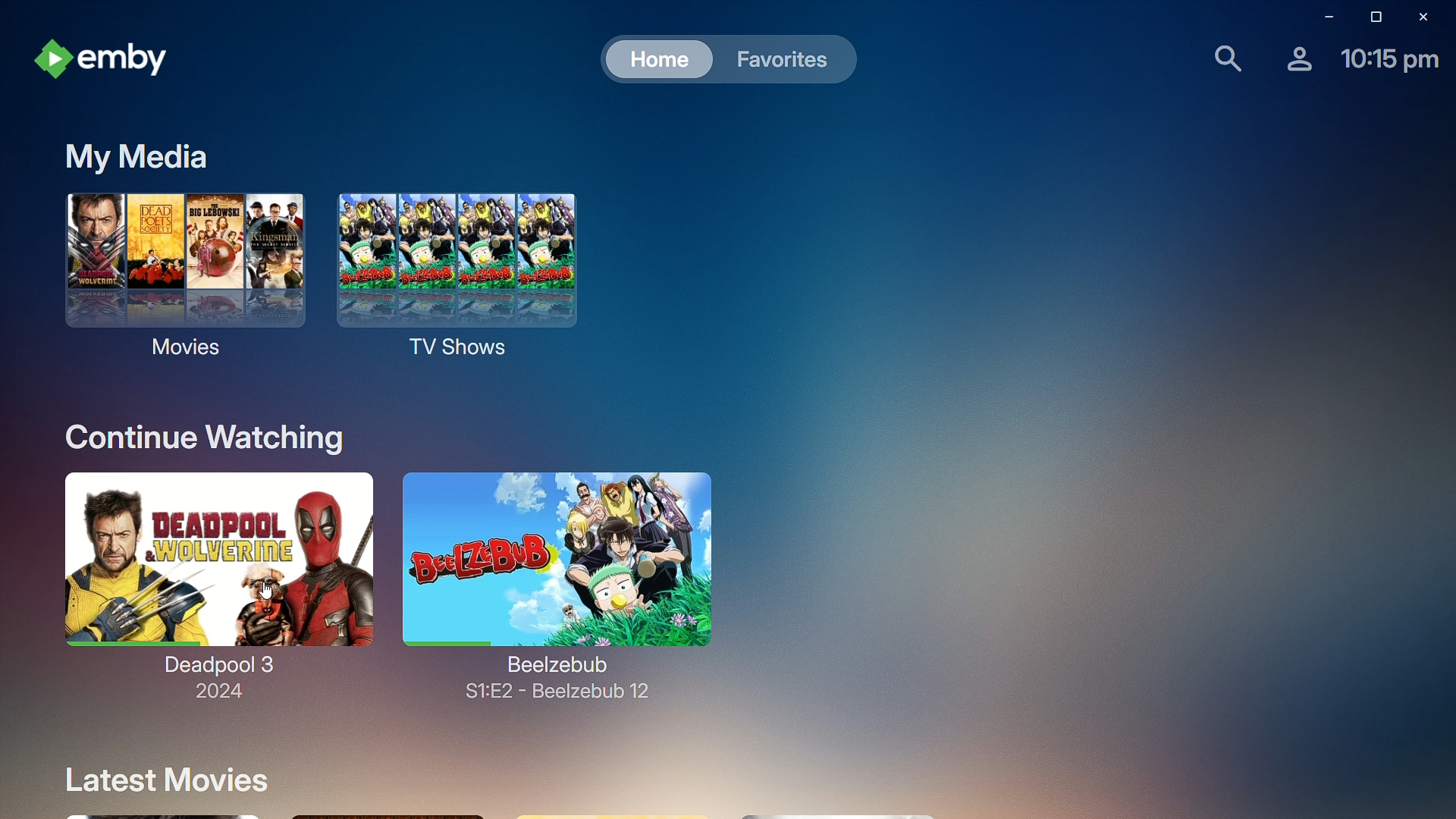  What do you see at coordinates (130, 155) in the screenshot?
I see `My Media` at bounding box center [130, 155].